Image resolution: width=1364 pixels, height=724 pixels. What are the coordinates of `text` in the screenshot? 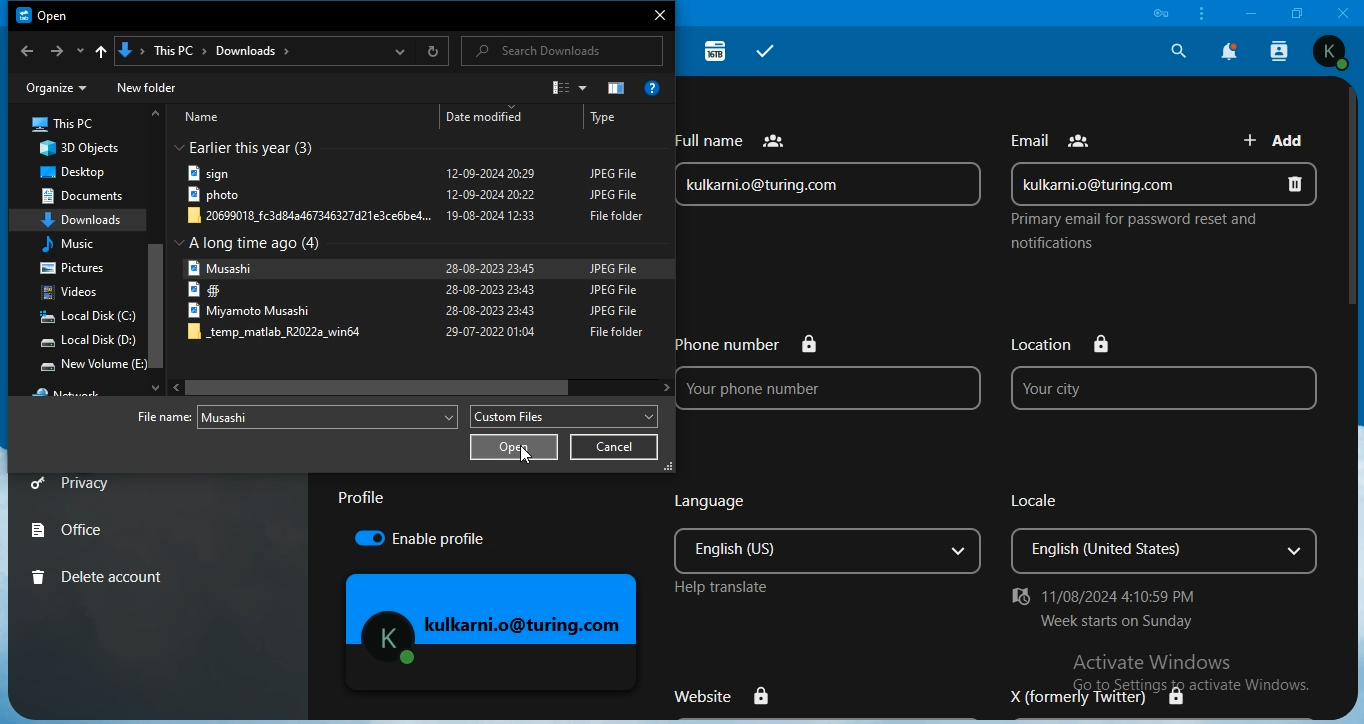 It's located at (361, 501).